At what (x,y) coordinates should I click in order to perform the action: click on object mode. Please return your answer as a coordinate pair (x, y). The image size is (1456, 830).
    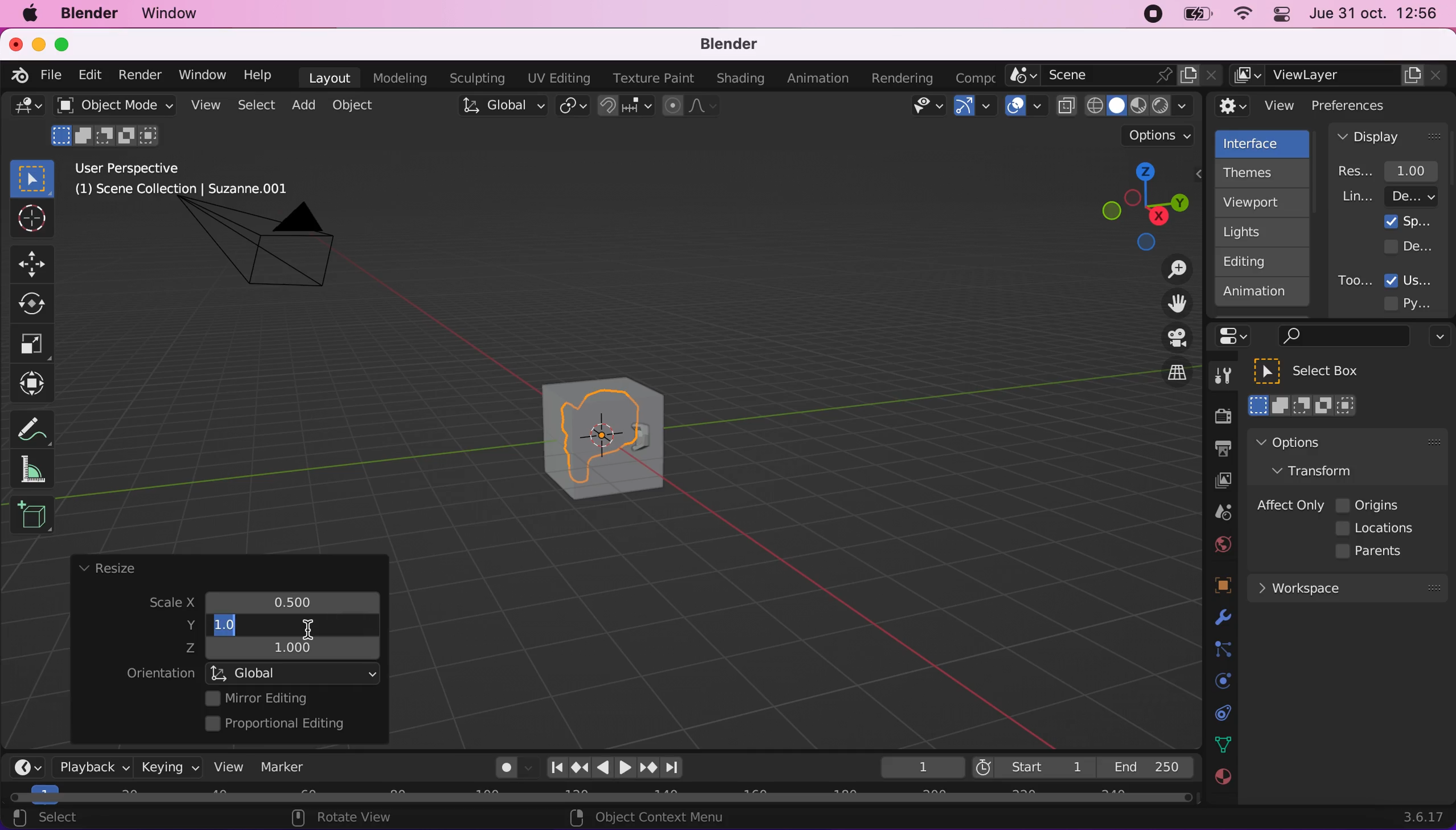
    Looking at the image, I should click on (111, 105).